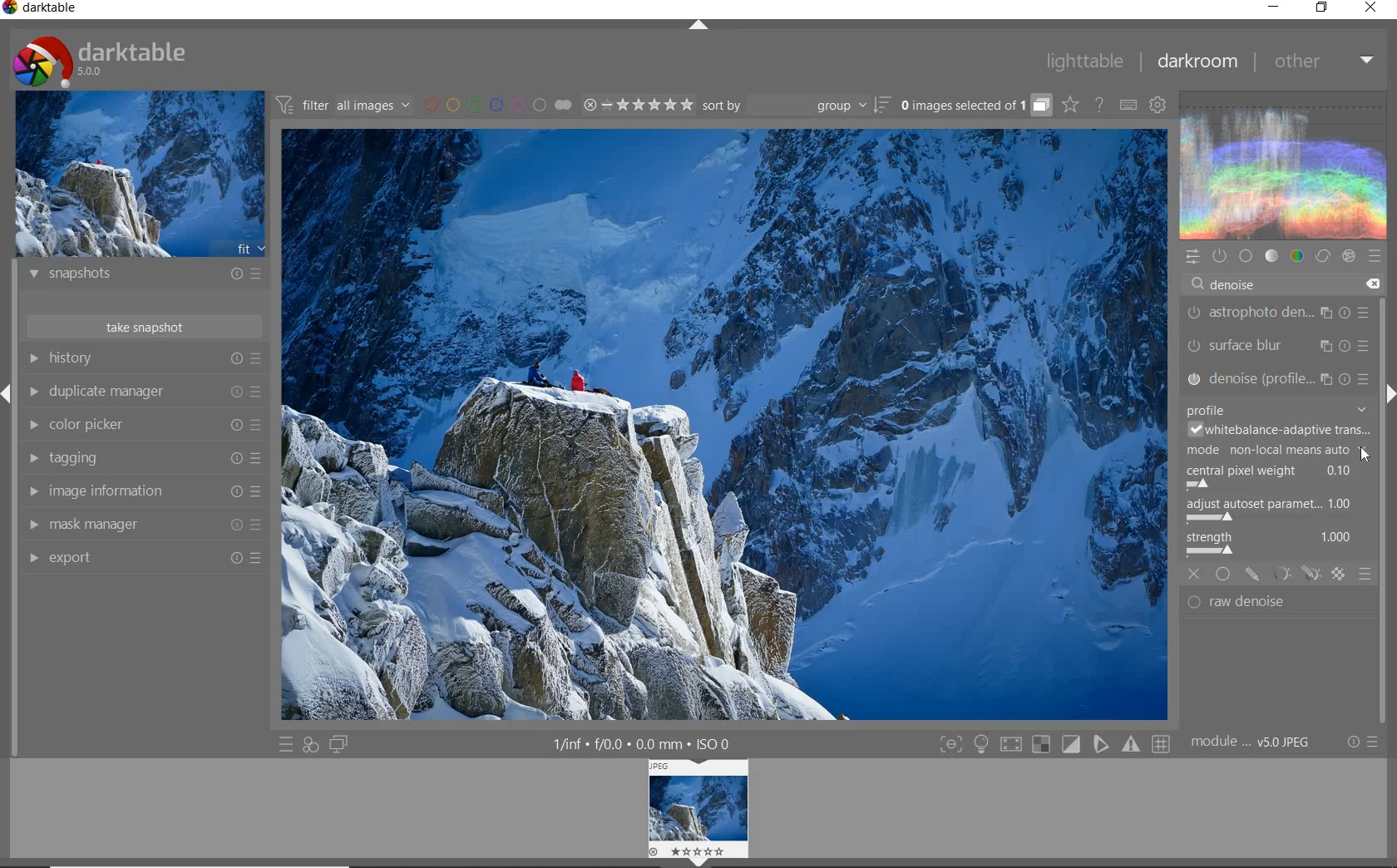 The width and height of the screenshot is (1397, 868). What do you see at coordinates (338, 745) in the screenshot?
I see `display a second darkroom image window` at bounding box center [338, 745].